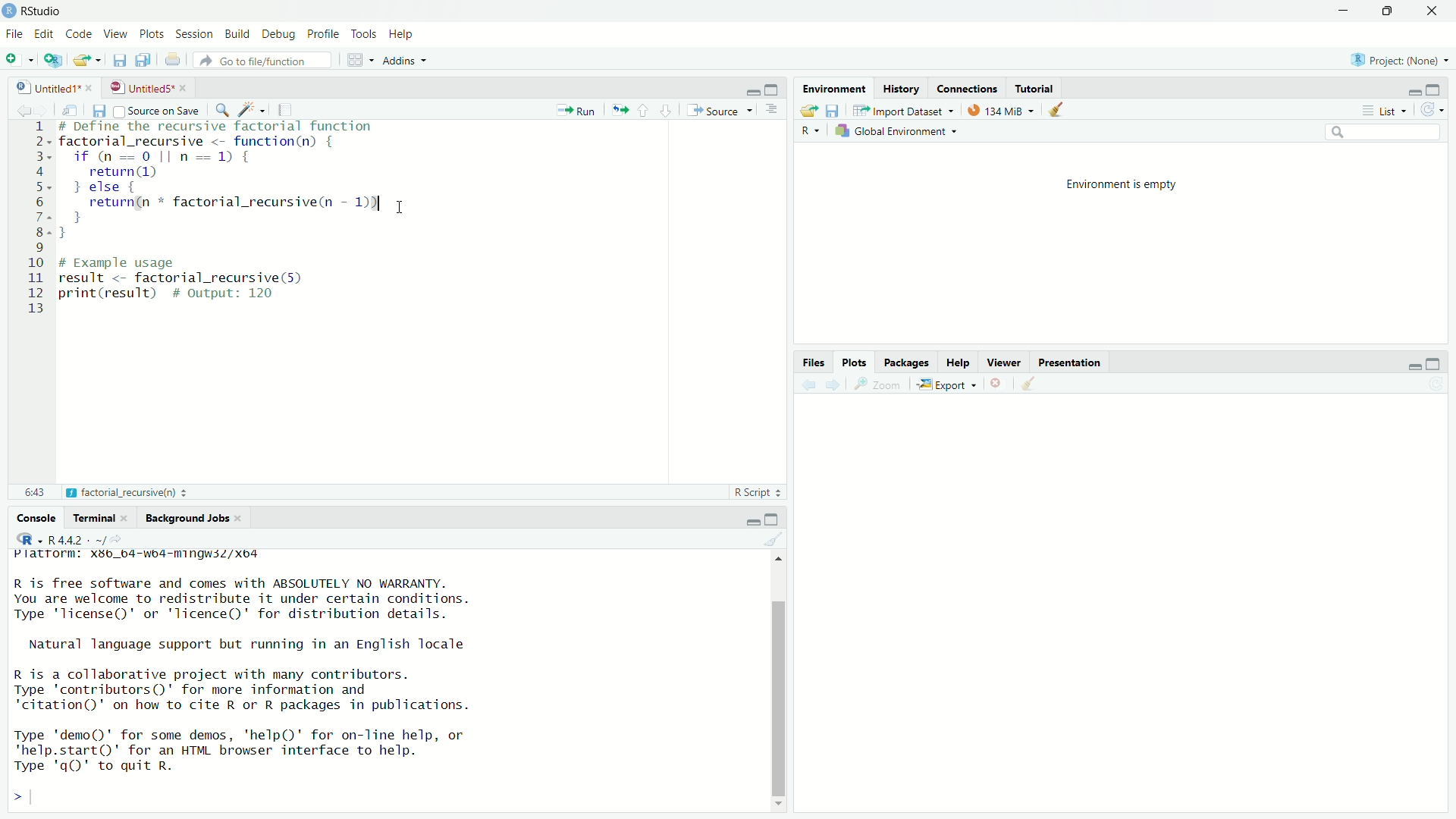 Image resolution: width=1456 pixels, height=819 pixels. I want to click on Tools, so click(360, 34).